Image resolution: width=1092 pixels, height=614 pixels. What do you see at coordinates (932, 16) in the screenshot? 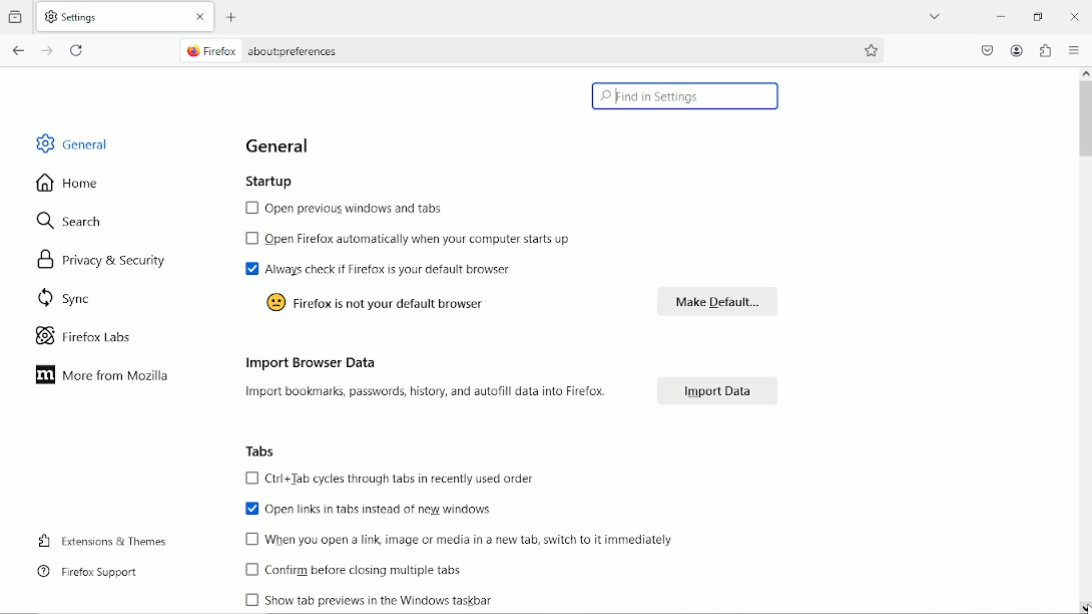
I see `list all tabs` at bounding box center [932, 16].